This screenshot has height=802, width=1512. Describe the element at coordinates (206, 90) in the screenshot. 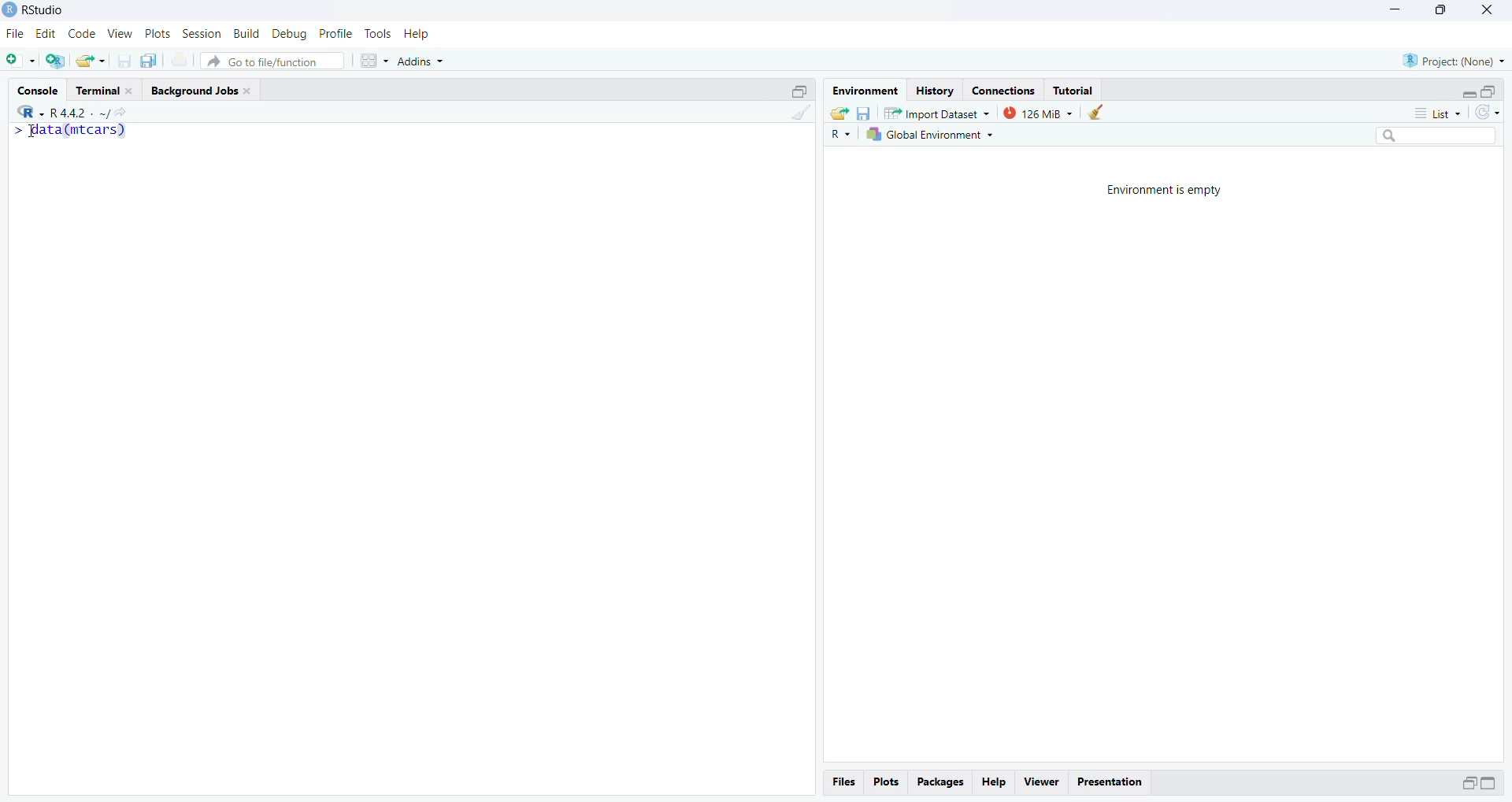

I see `Background Jobs` at that location.